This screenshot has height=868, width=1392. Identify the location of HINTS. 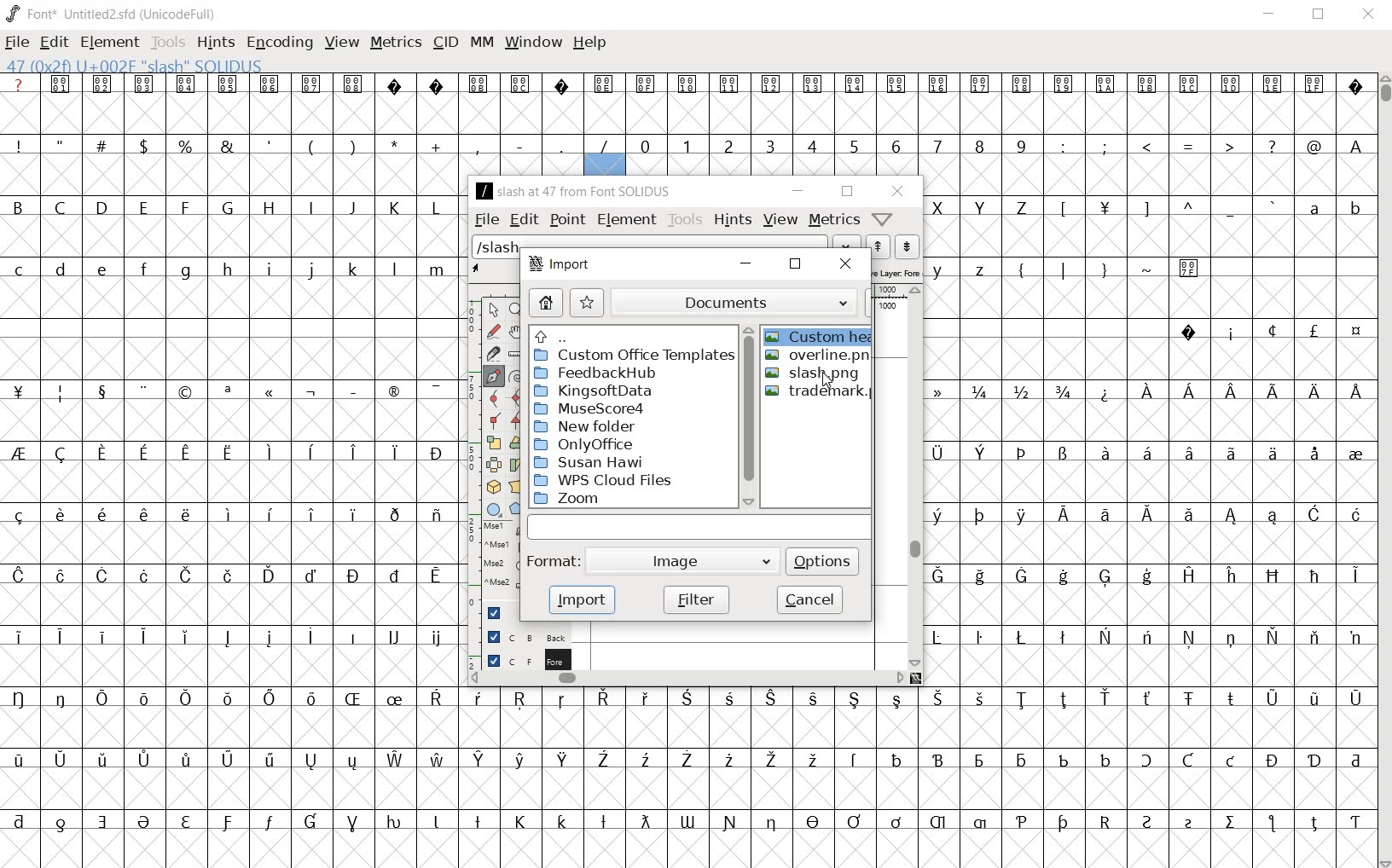
(216, 43).